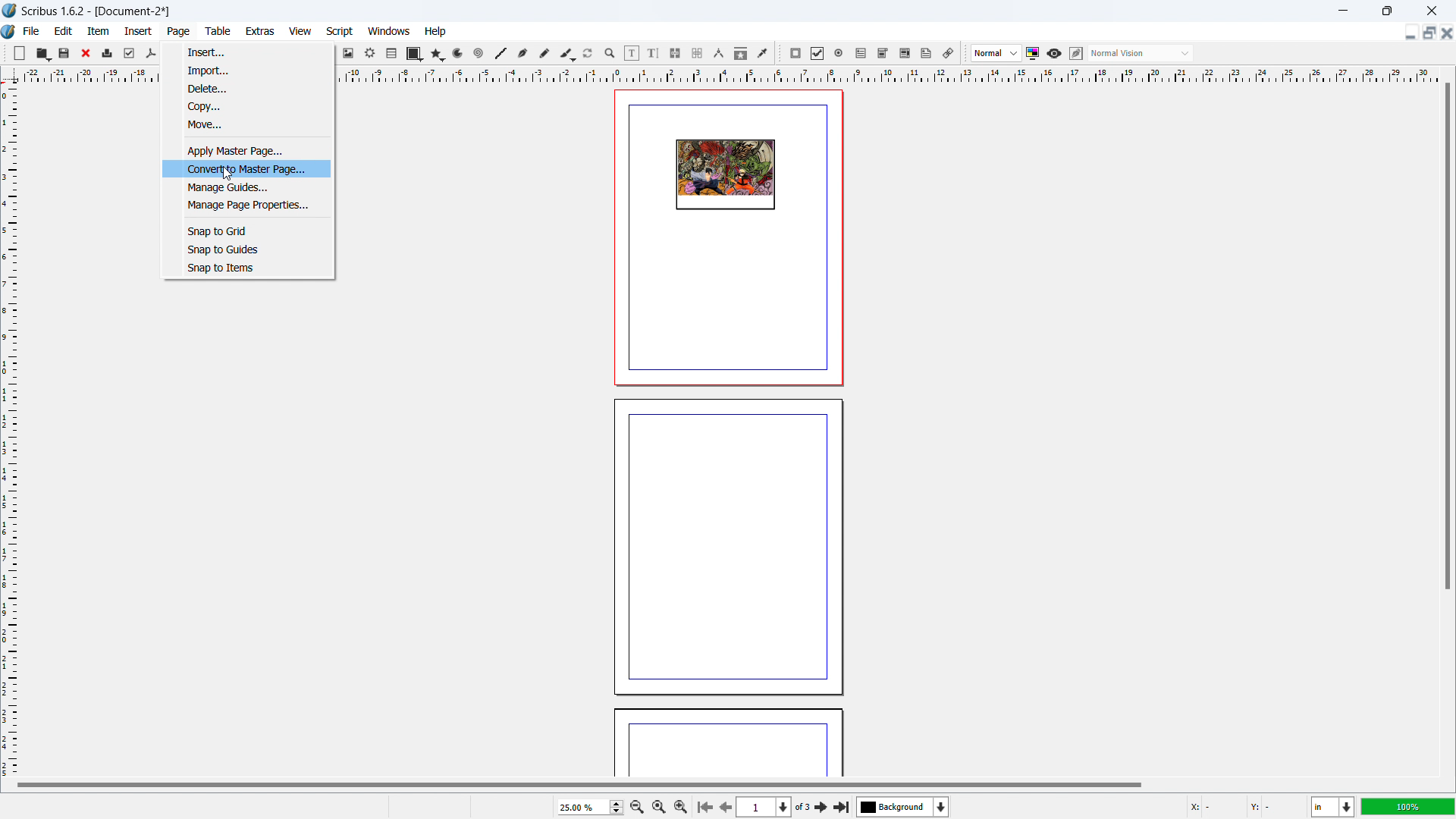 This screenshot has width=1456, height=819. Describe the element at coordinates (248, 150) in the screenshot. I see `apply master page` at that location.